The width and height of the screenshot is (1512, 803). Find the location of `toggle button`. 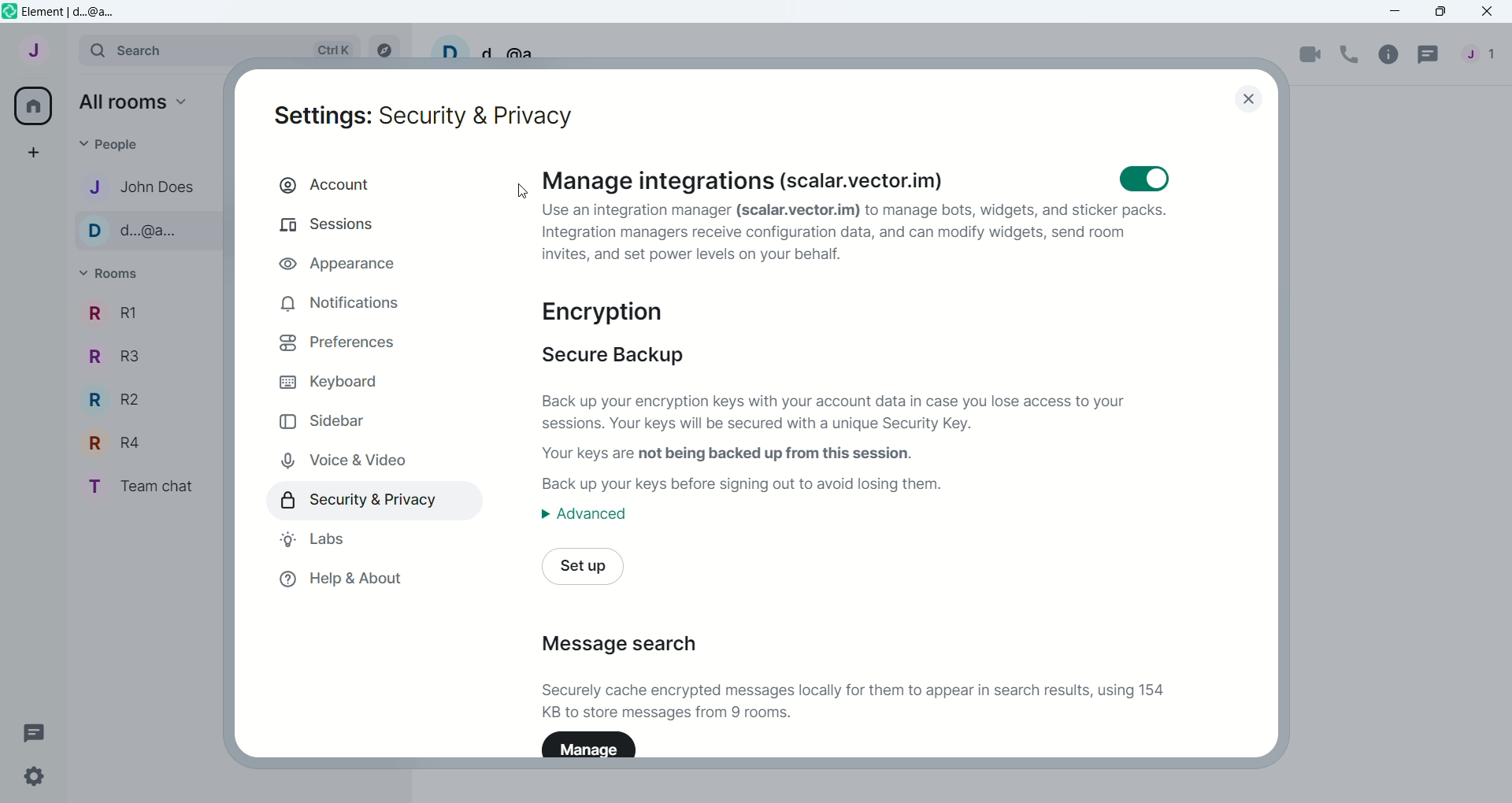

toggle button is located at coordinates (1149, 178).